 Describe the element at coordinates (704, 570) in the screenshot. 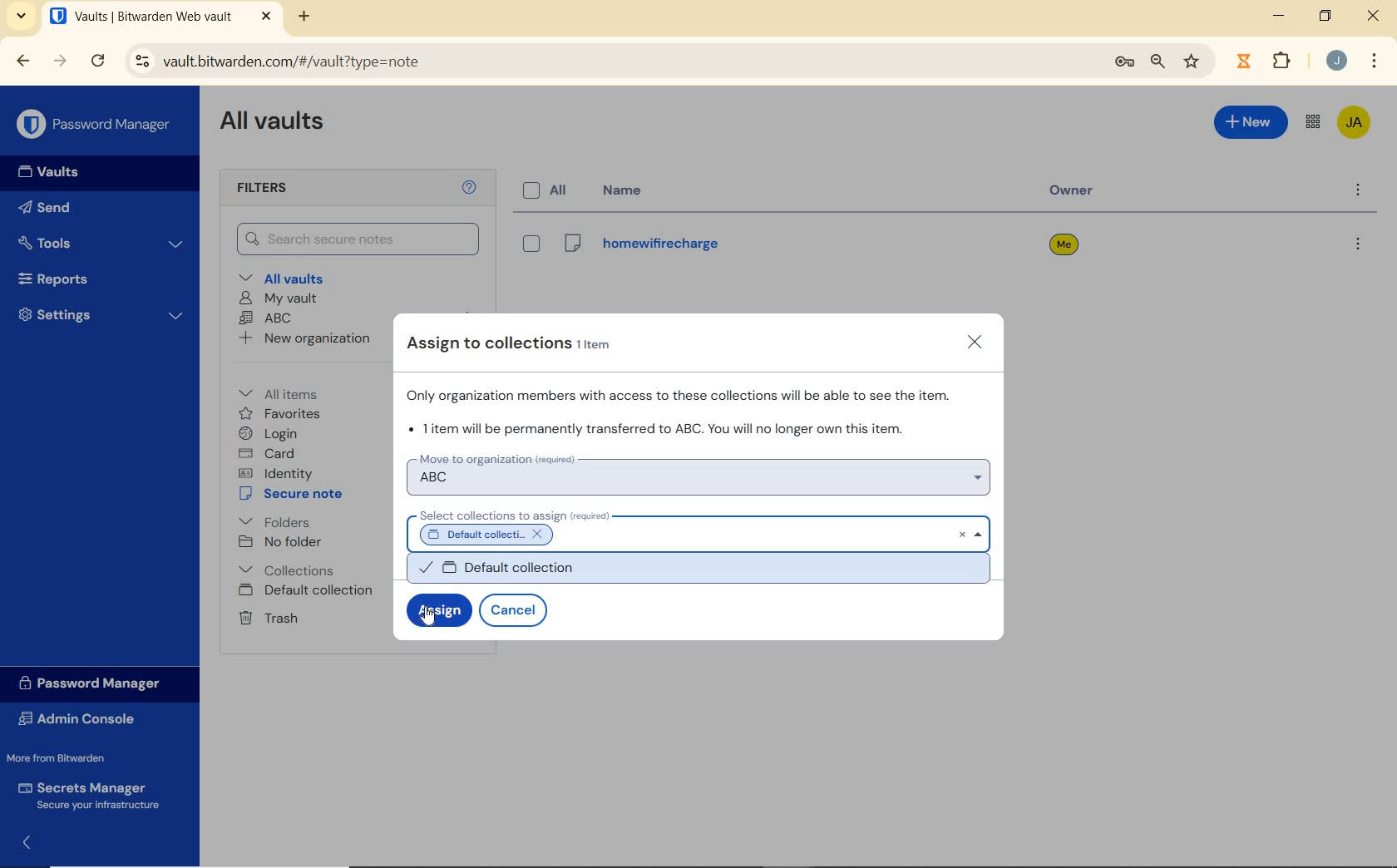

I see `default collection` at that location.